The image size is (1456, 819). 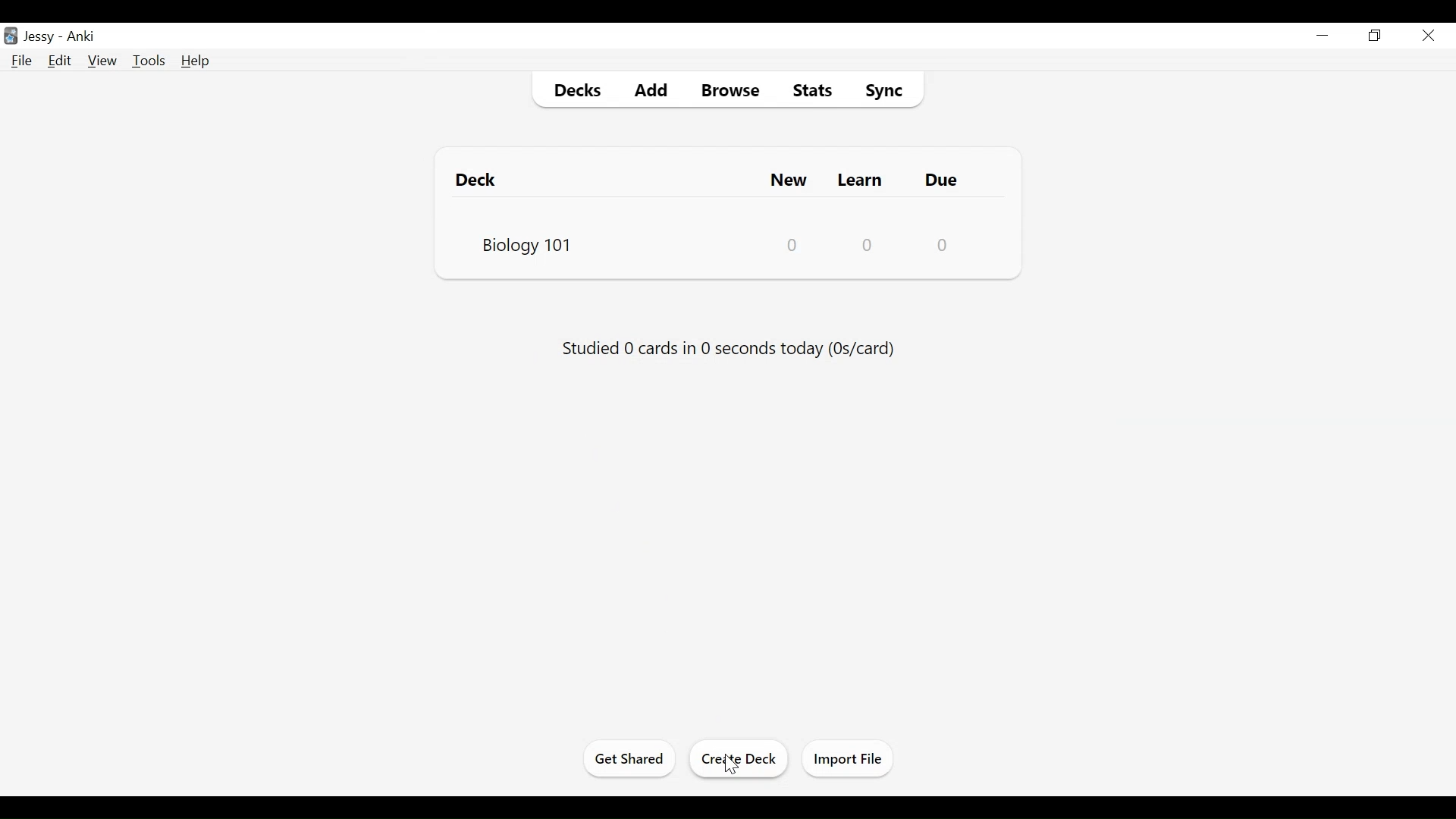 What do you see at coordinates (632, 760) in the screenshot?
I see `Get Started` at bounding box center [632, 760].